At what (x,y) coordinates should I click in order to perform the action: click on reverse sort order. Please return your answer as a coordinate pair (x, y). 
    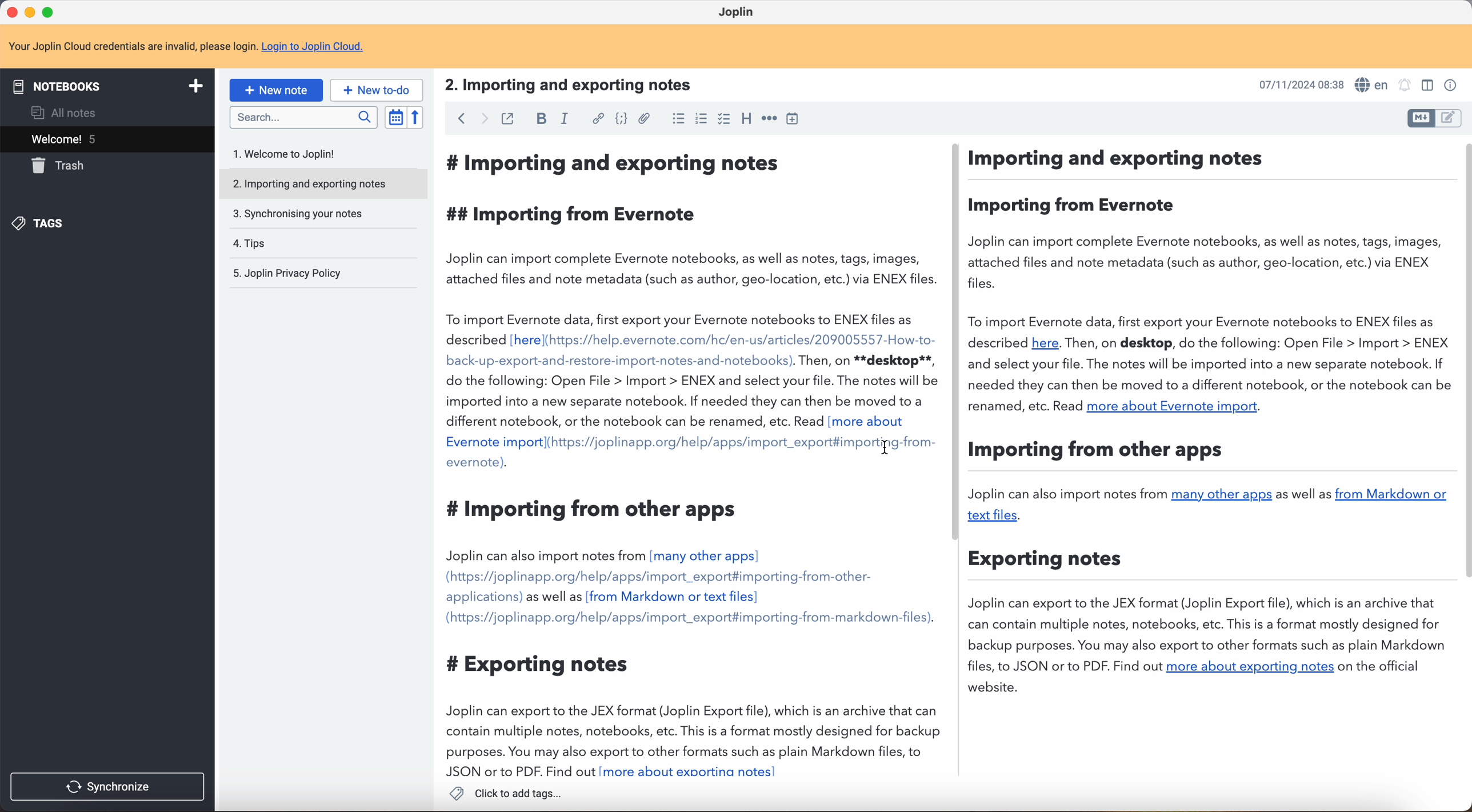
    Looking at the image, I should click on (414, 118).